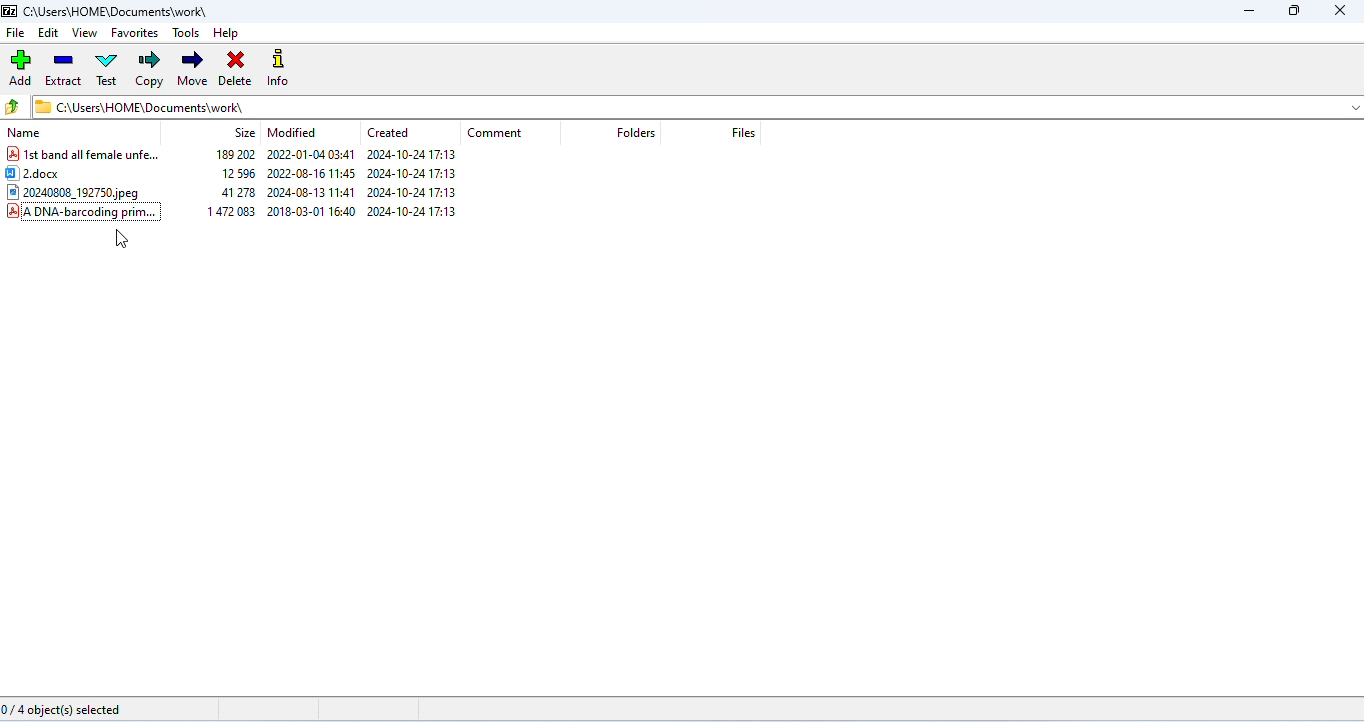 The width and height of the screenshot is (1364, 722). What do you see at coordinates (244, 193) in the screenshot?
I see `20240808_192750.jpeg 41278 2024-08-13 11:41  2024-10-2417:13` at bounding box center [244, 193].